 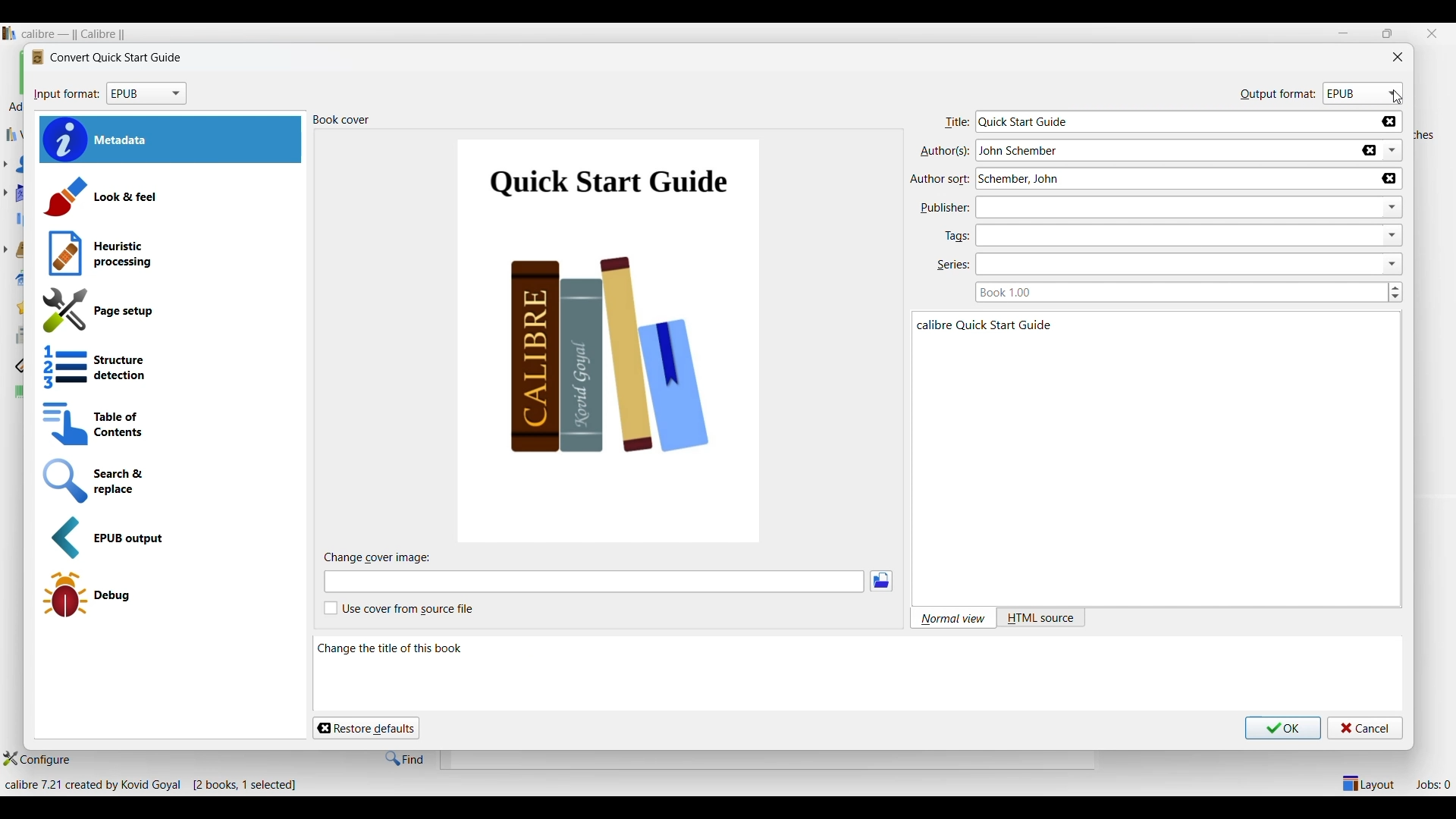 What do you see at coordinates (1278, 96) in the screenshot?
I see `output format` at bounding box center [1278, 96].